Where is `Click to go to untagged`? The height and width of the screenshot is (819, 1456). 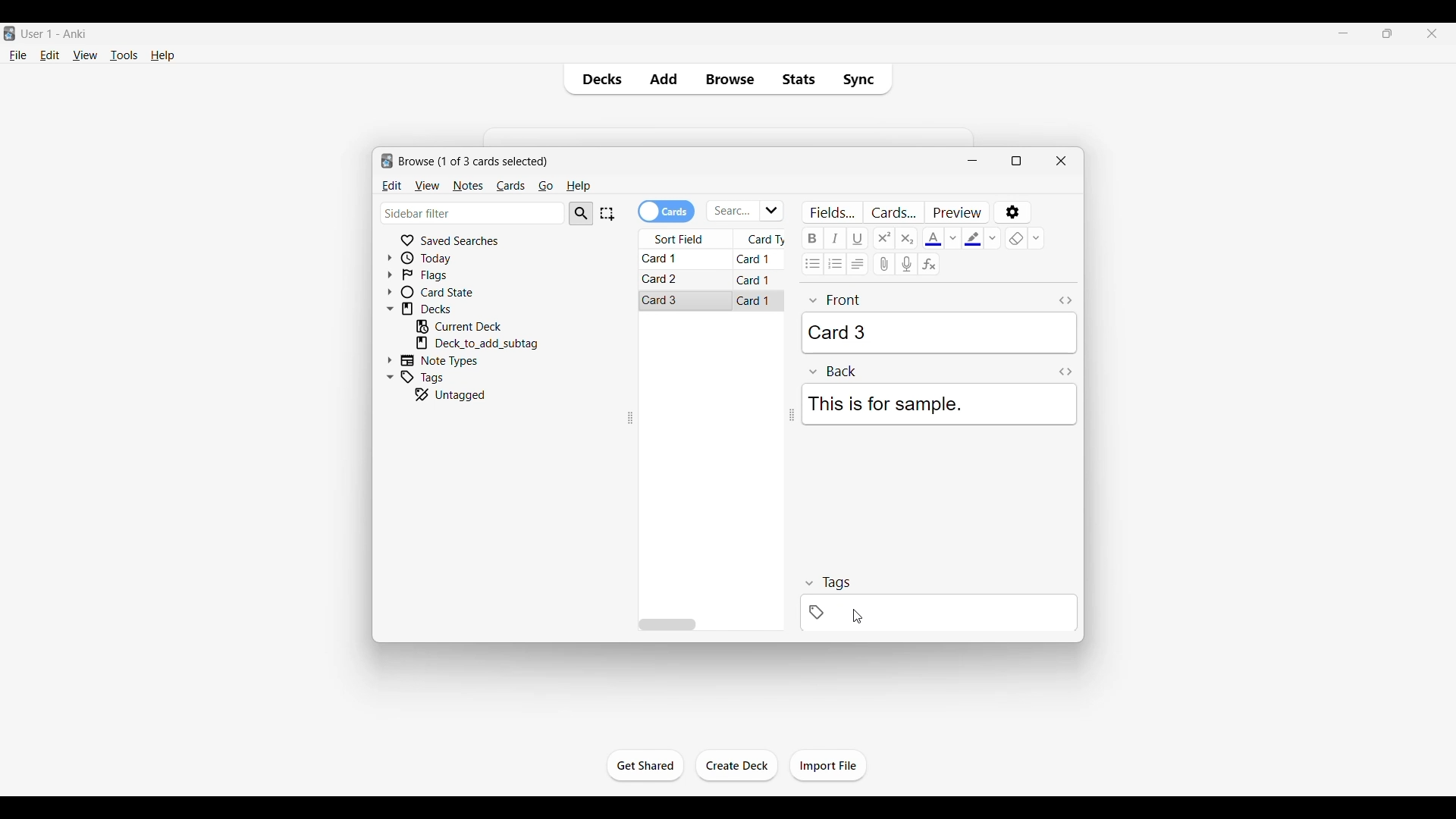 Click to go to untagged is located at coordinates (472, 394).